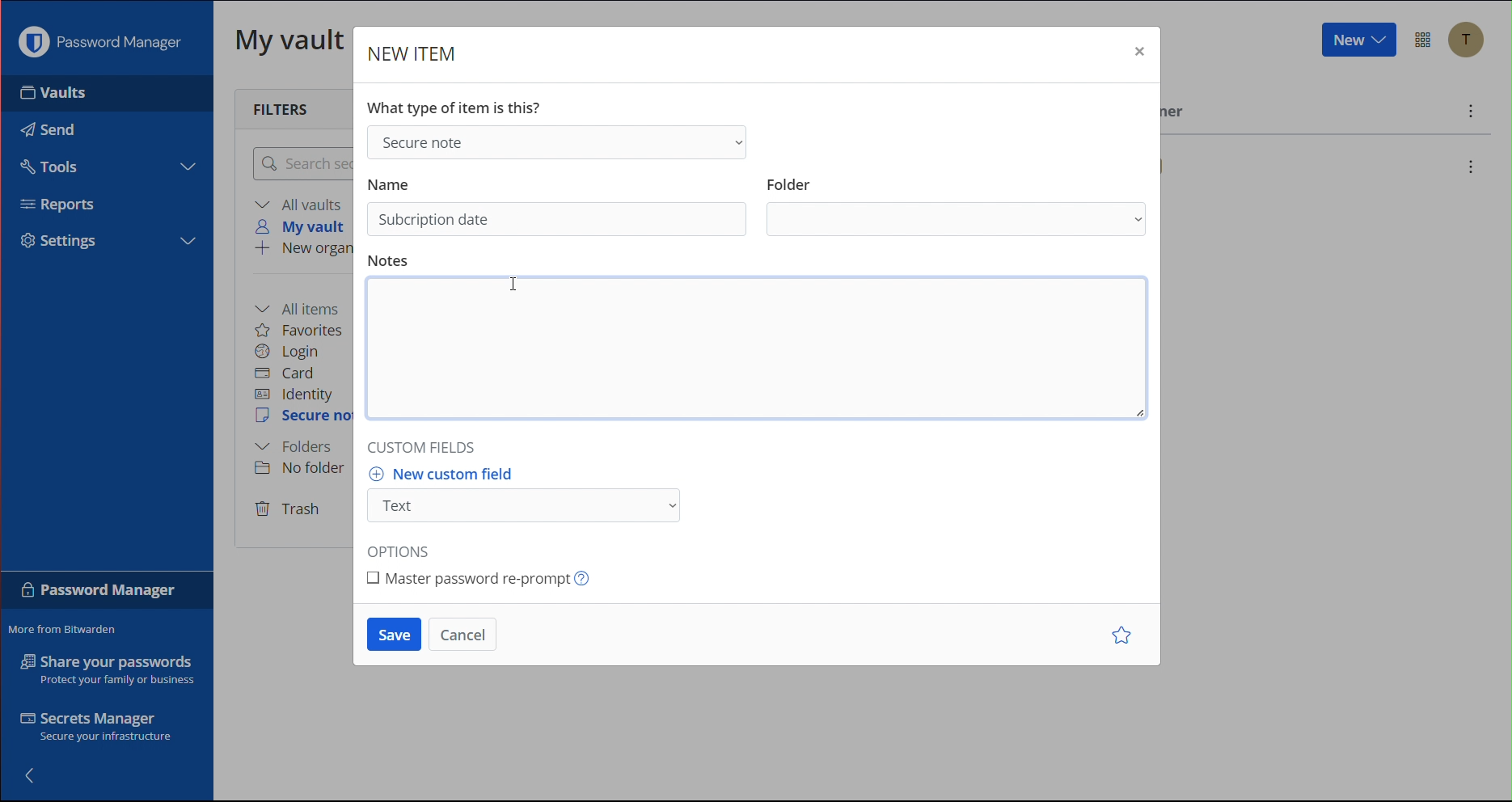 This screenshot has height=802, width=1512. What do you see at coordinates (302, 204) in the screenshot?
I see `All vaults` at bounding box center [302, 204].